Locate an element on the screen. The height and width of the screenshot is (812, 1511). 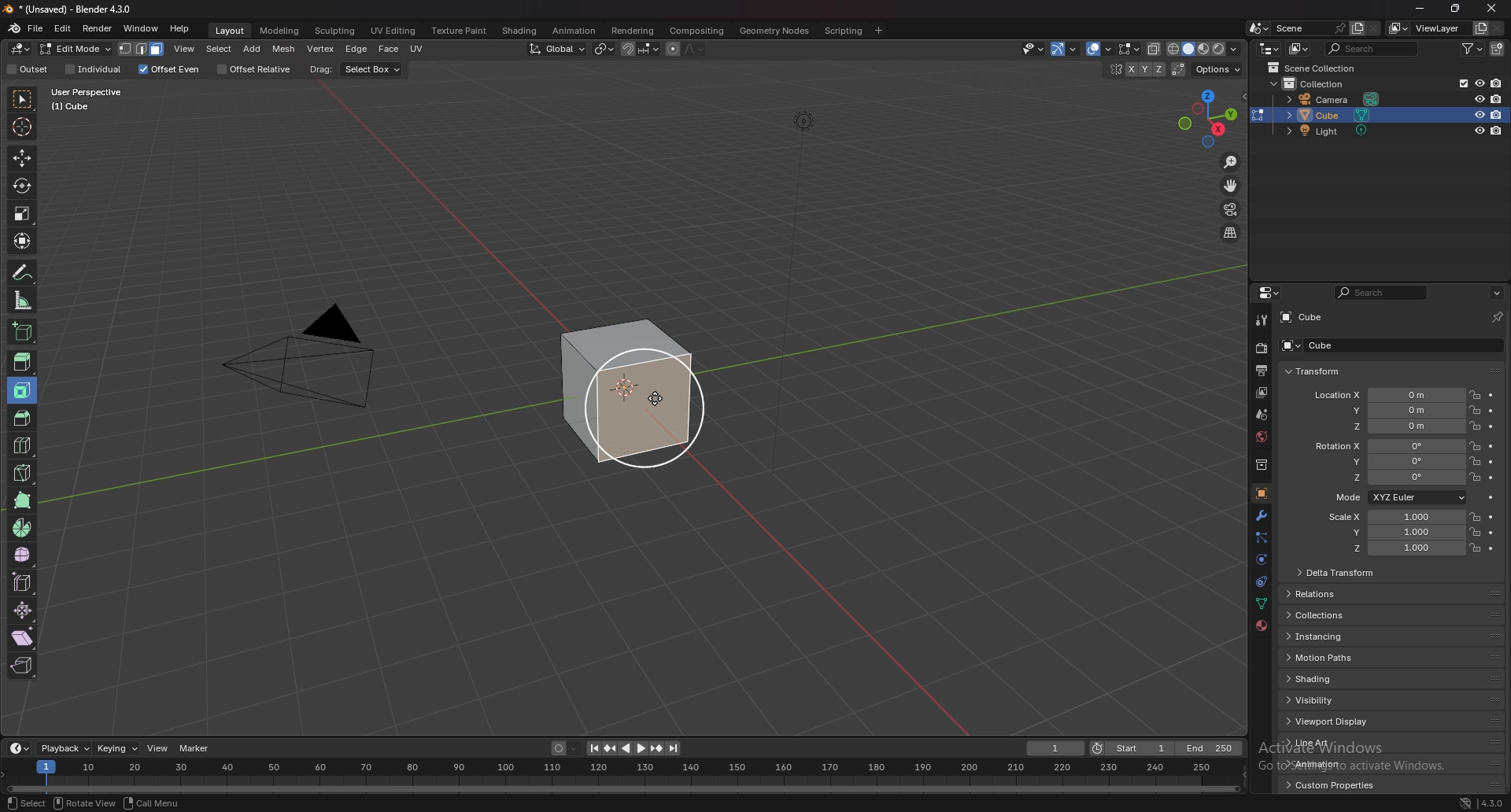
animate property is located at coordinates (1491, 463).